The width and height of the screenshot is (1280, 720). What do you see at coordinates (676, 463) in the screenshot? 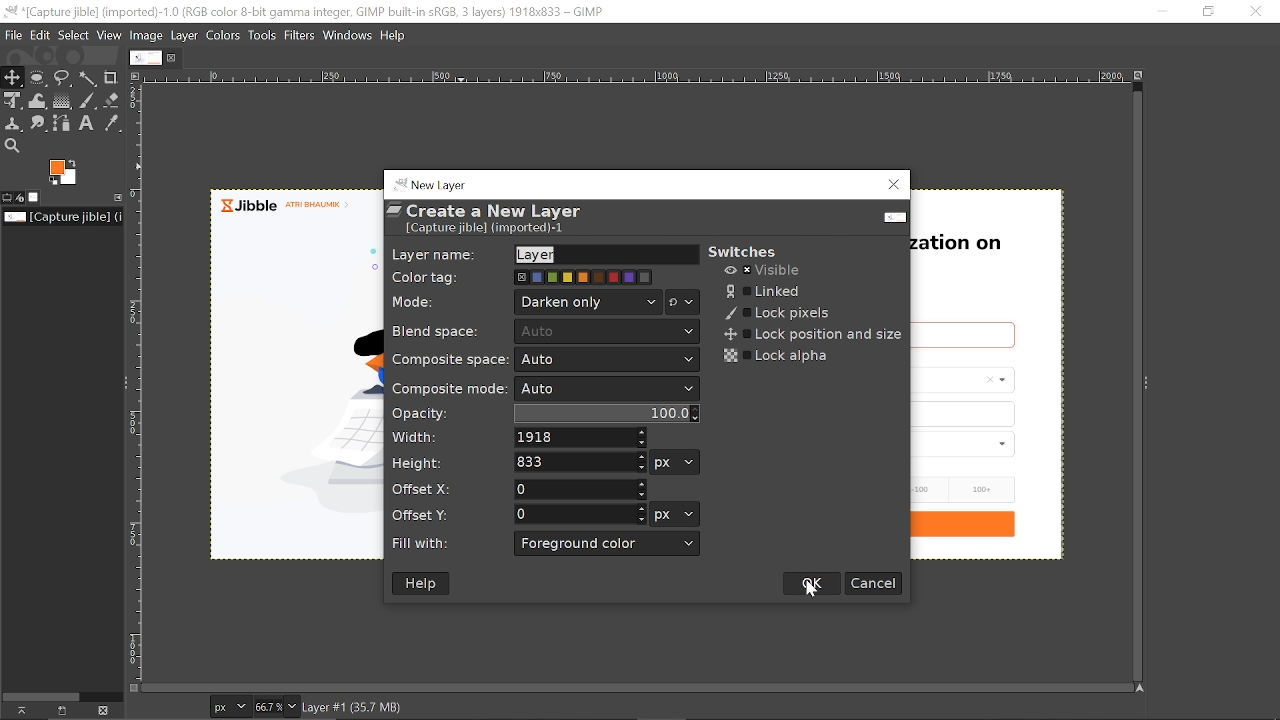
I see `units for height` at bounding box center [676, 463].